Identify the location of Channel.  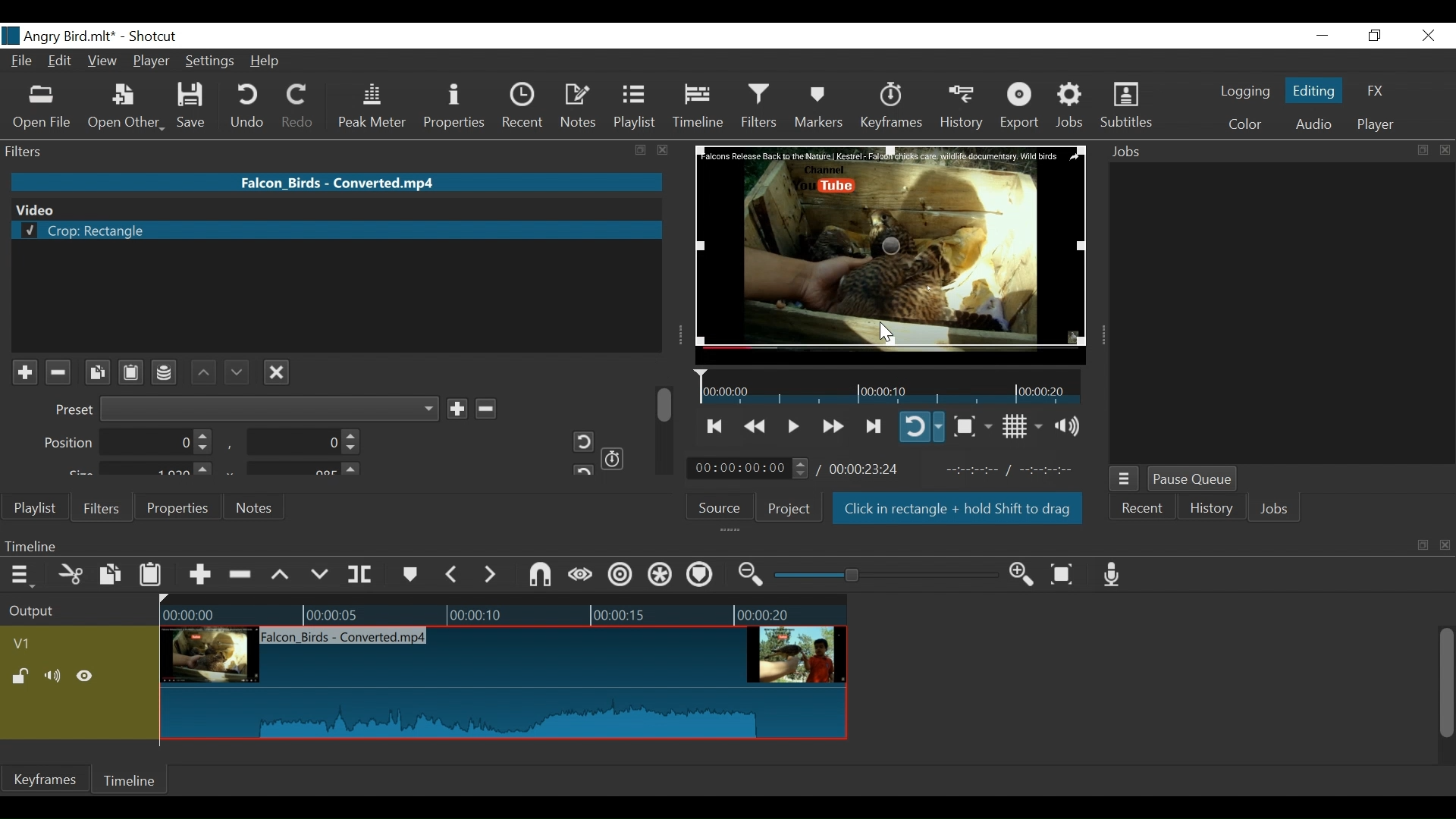
(165, 375).